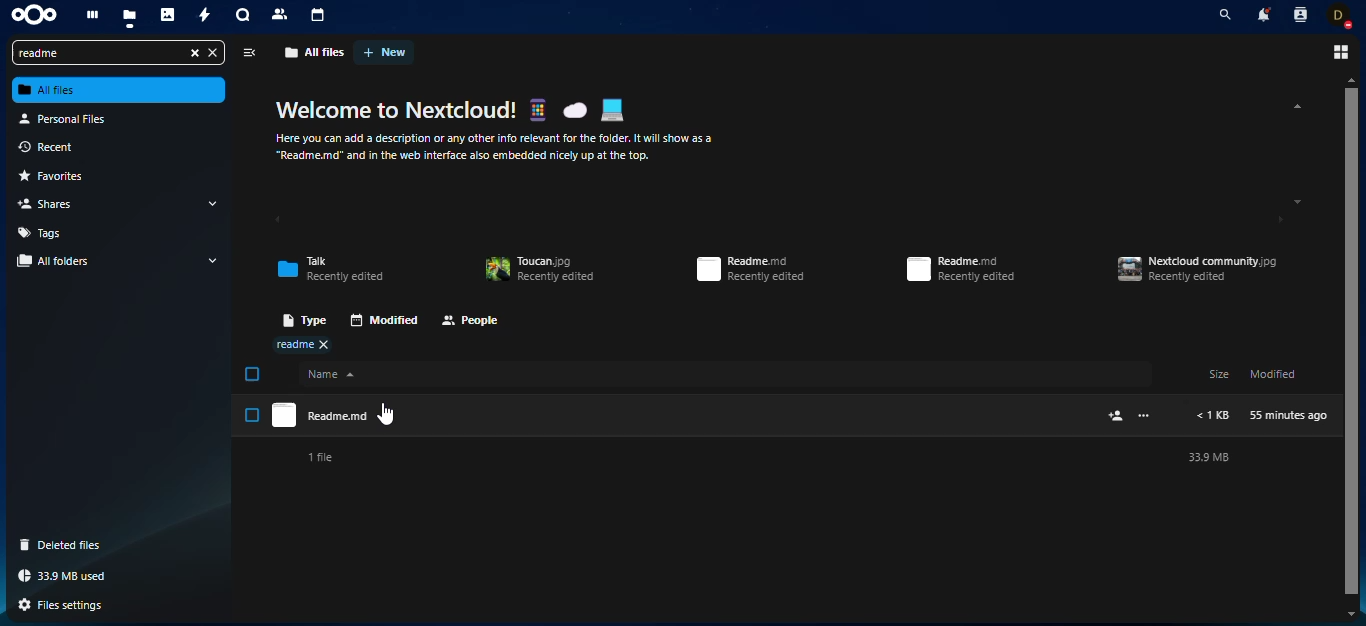 Image resolution: width=1366 pixels, height=626 pixels. Describe the element at coordinates (750, 269) in the screenshot. I see `Readme.md Recently edited` at that location.